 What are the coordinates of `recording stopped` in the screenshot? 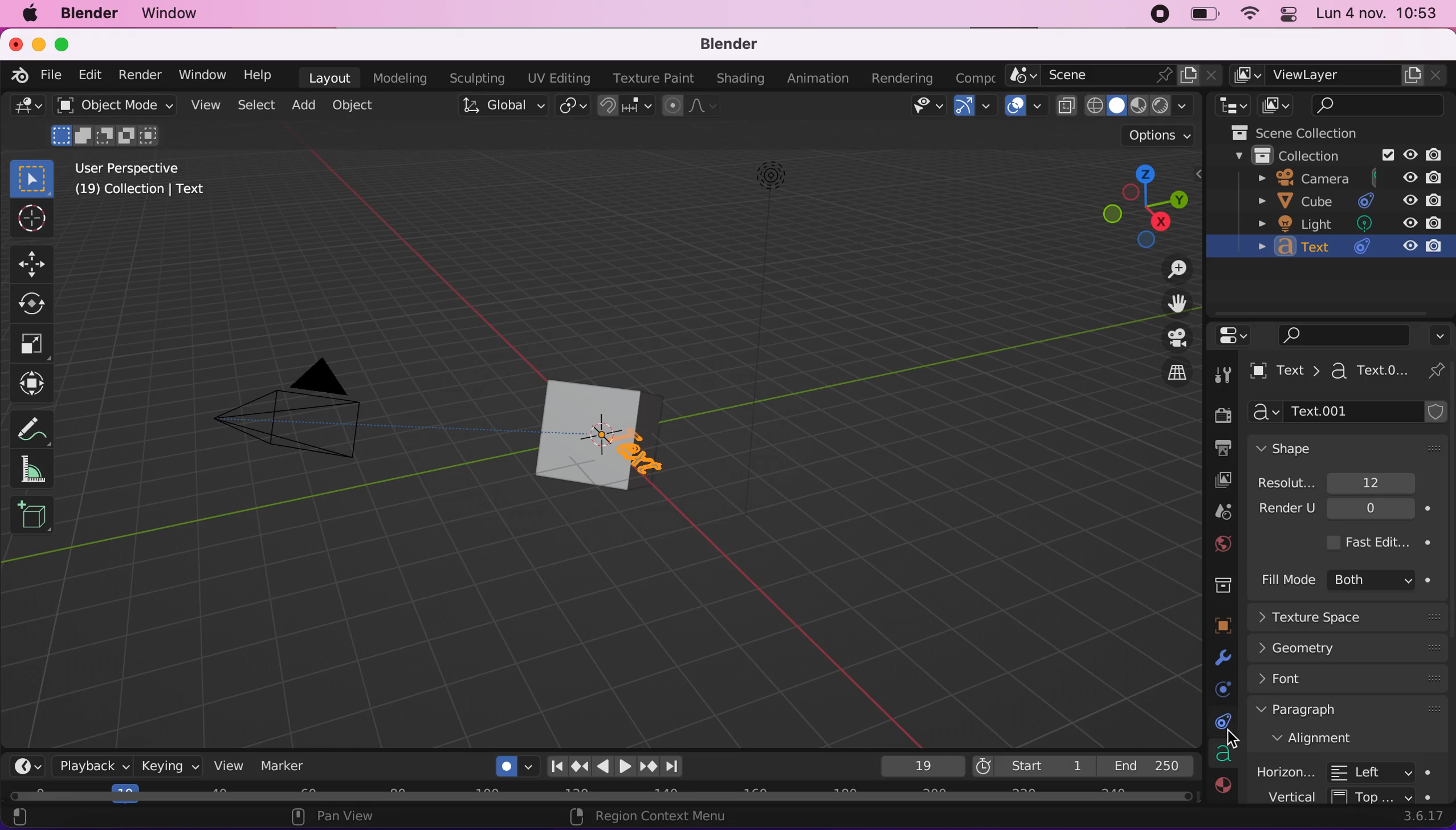 It's located at (1156, 15).